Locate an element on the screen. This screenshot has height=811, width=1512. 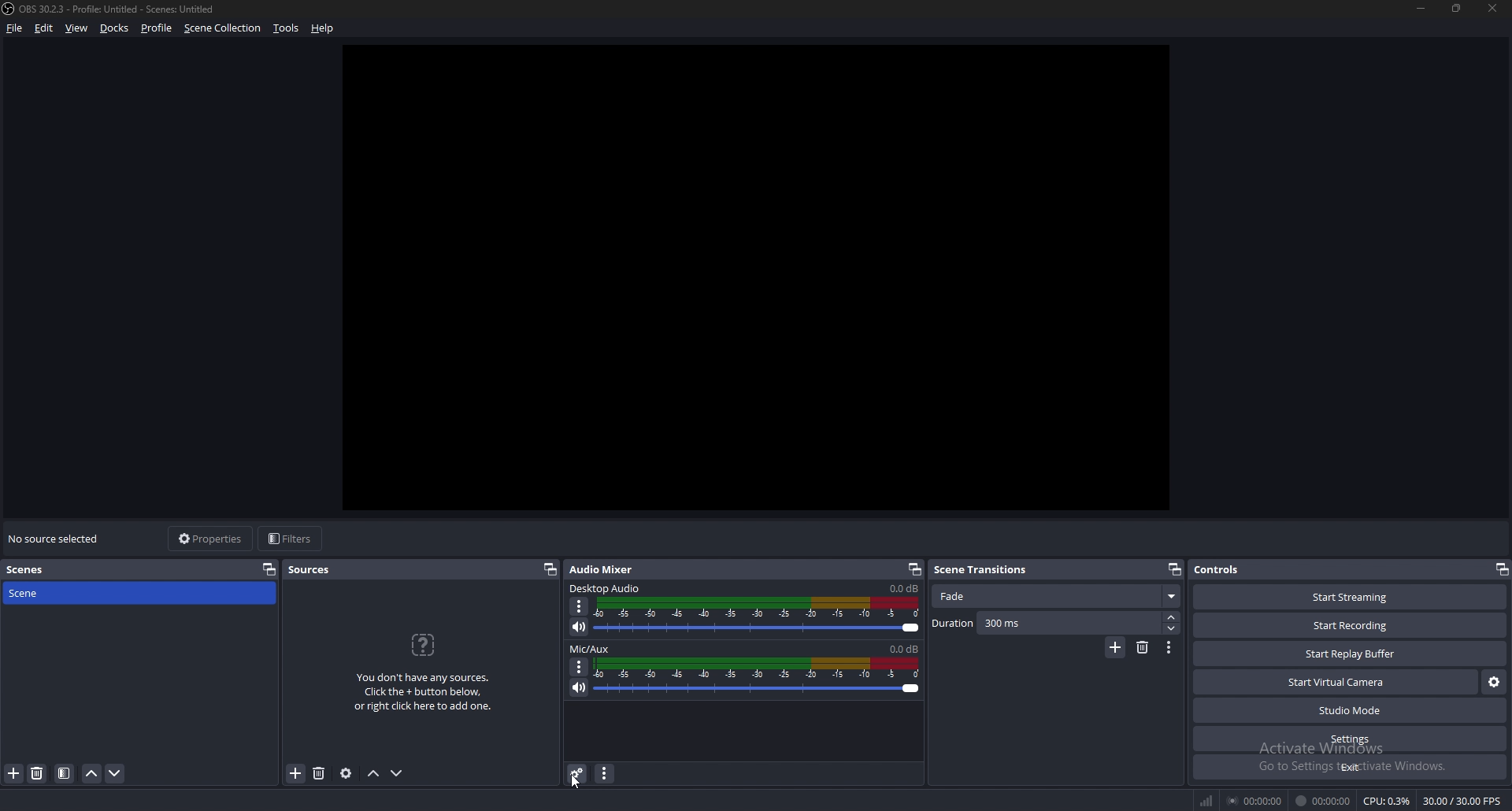
exit is located at coordinates (1348, 767).